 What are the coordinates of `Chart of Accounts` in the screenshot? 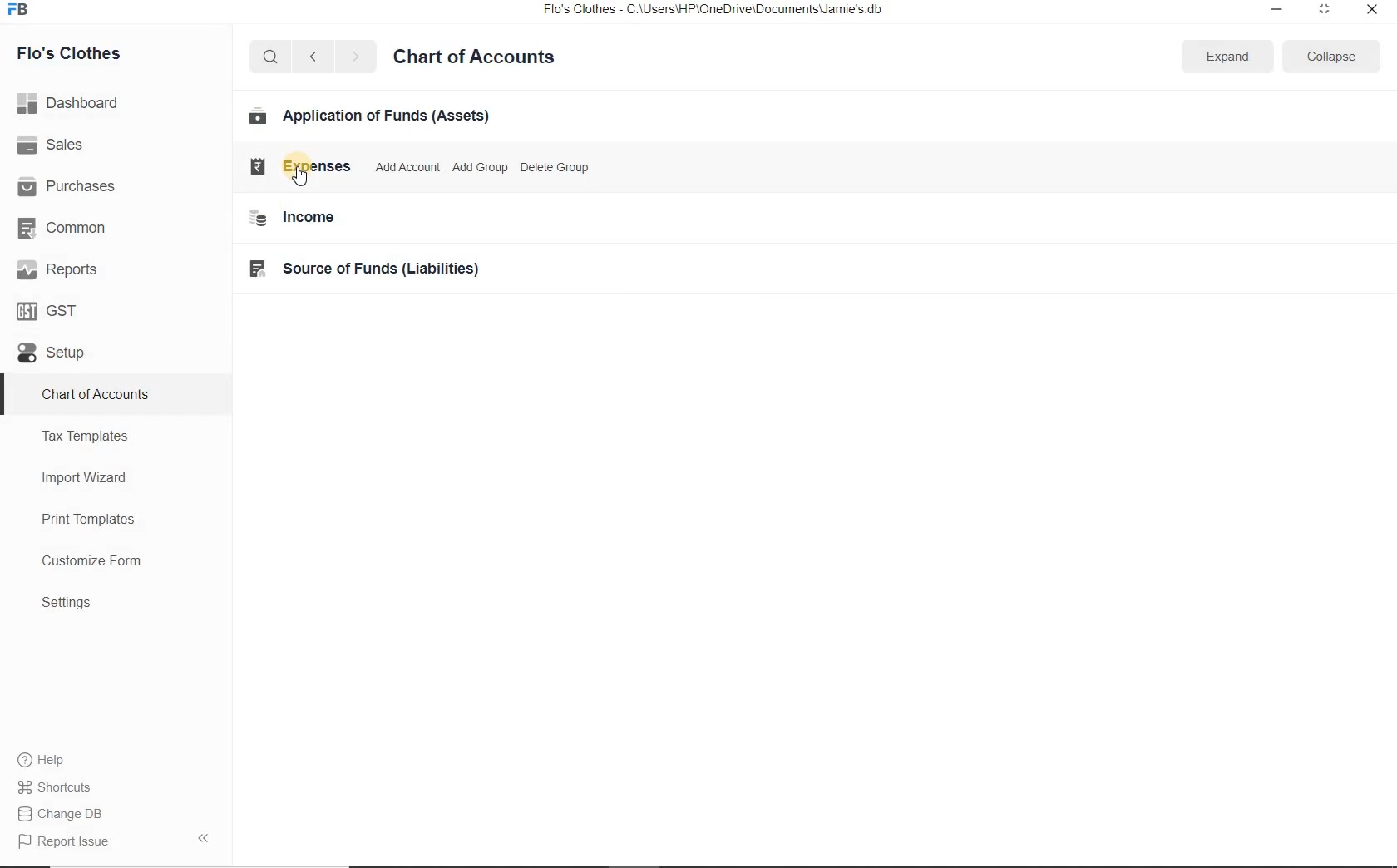 It's located at (474, 59).